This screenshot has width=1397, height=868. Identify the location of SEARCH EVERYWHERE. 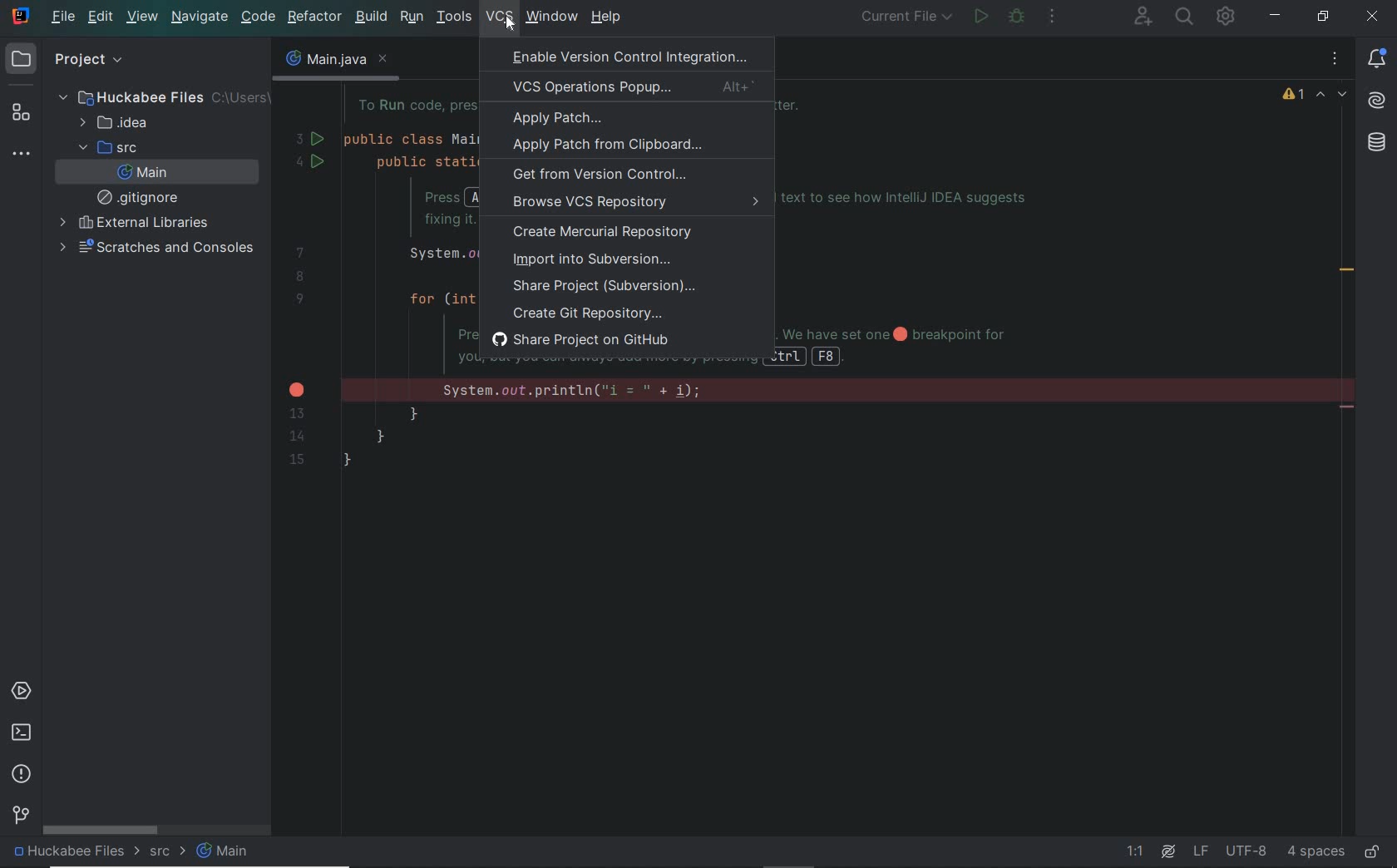
(1185, 18).